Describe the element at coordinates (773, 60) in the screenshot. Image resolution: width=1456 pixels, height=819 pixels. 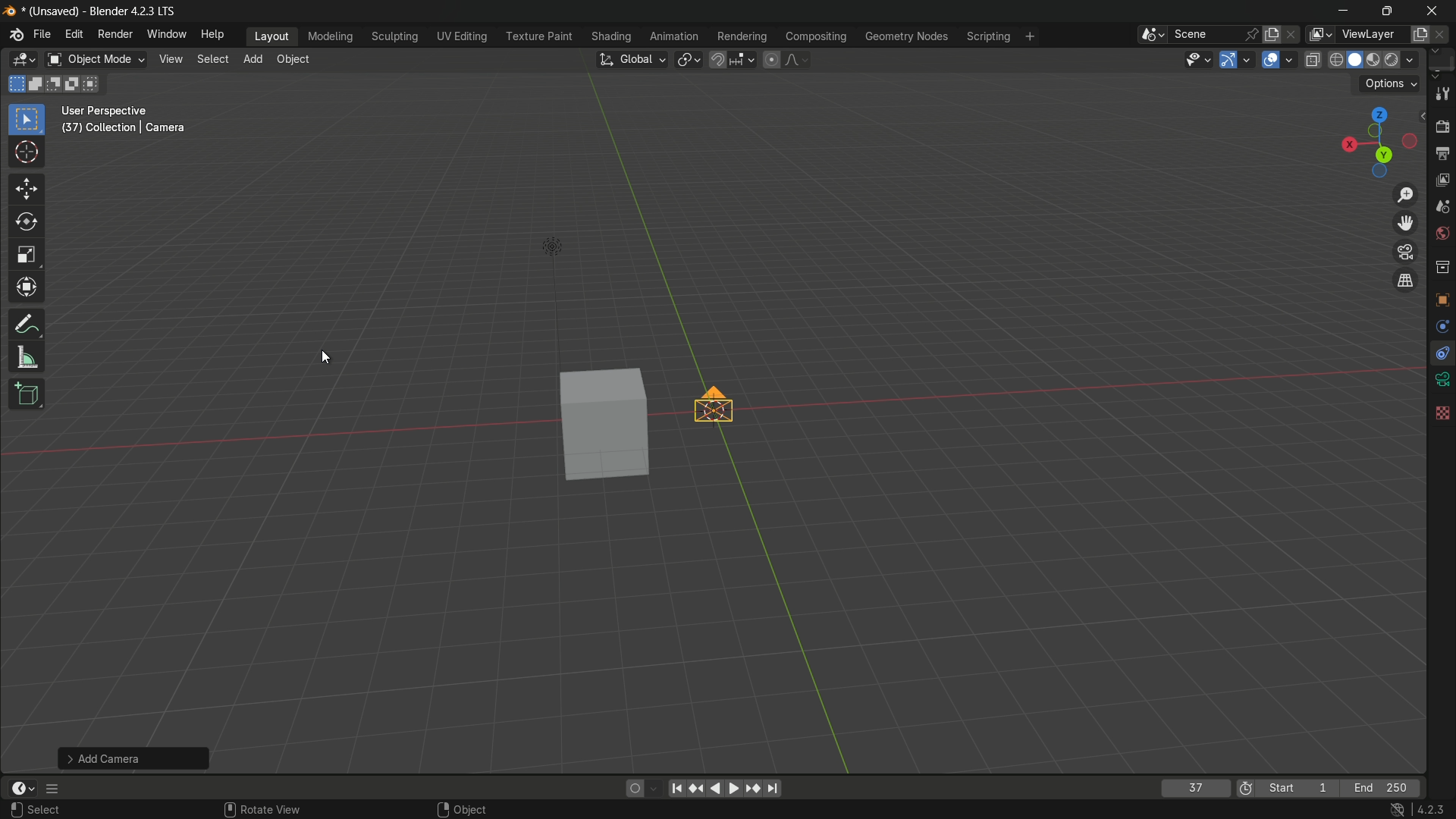
I see `proportional editing object` at that location.